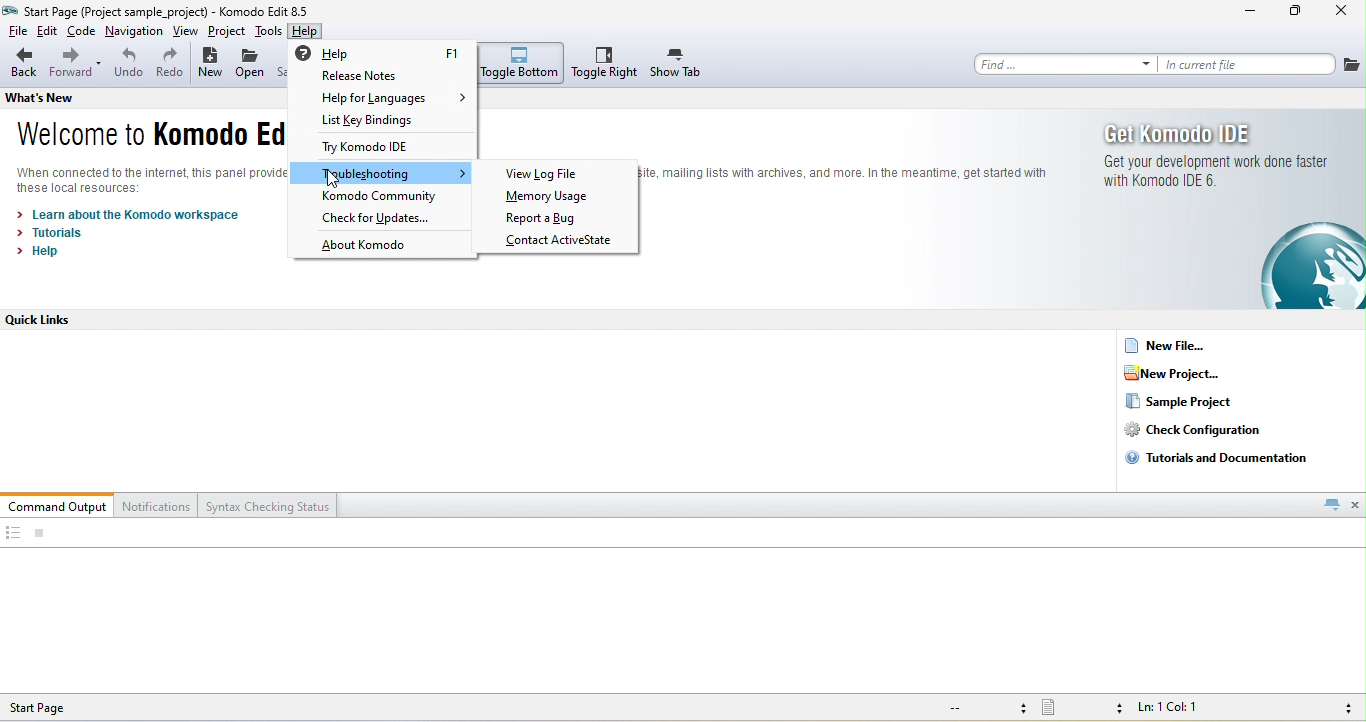 This screenshot has width=1366, height=722. I want to click on welcome to komodo edit, so click(142, 137).